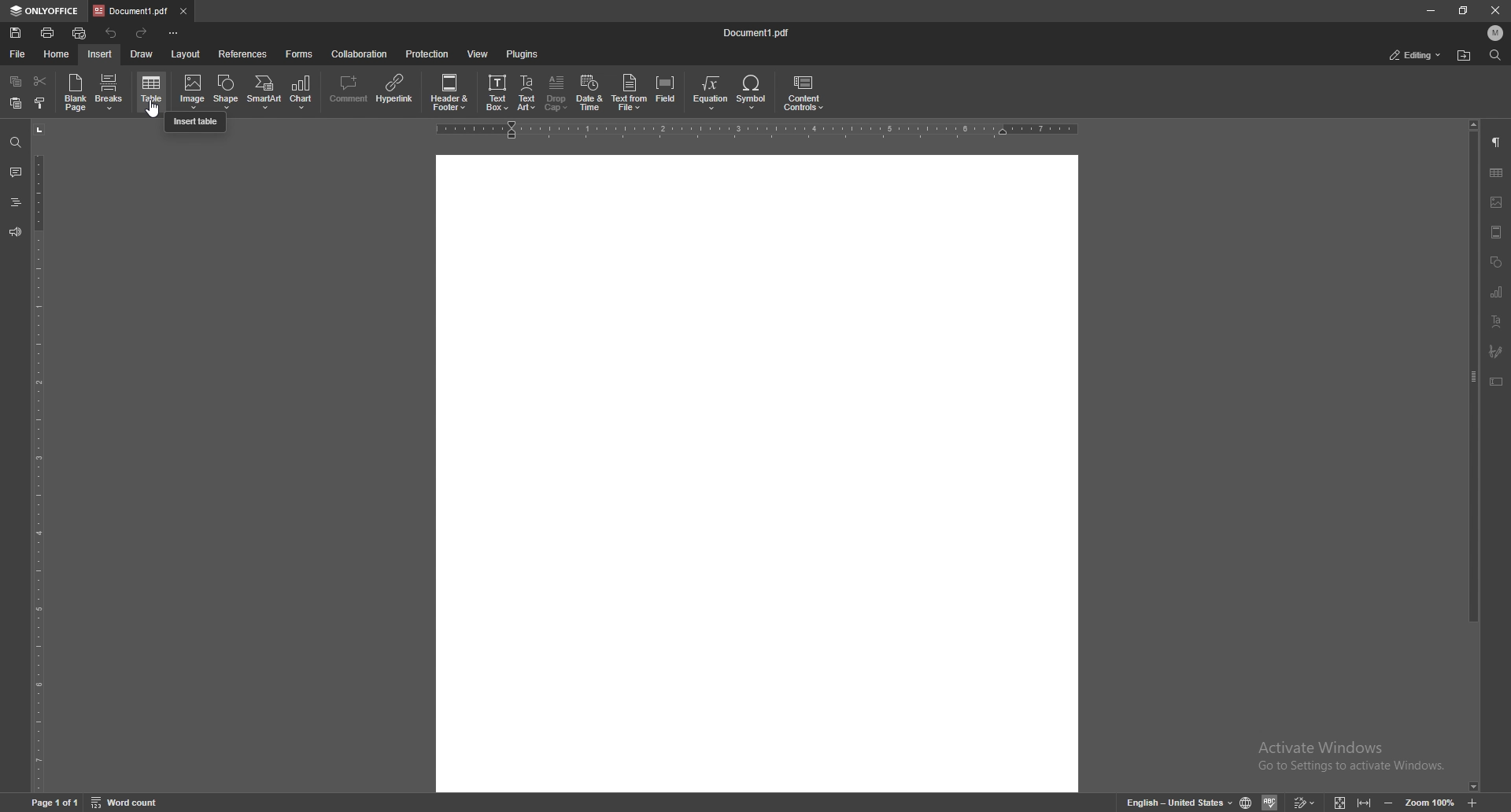  I want to click on chart, so click(1498, 293).